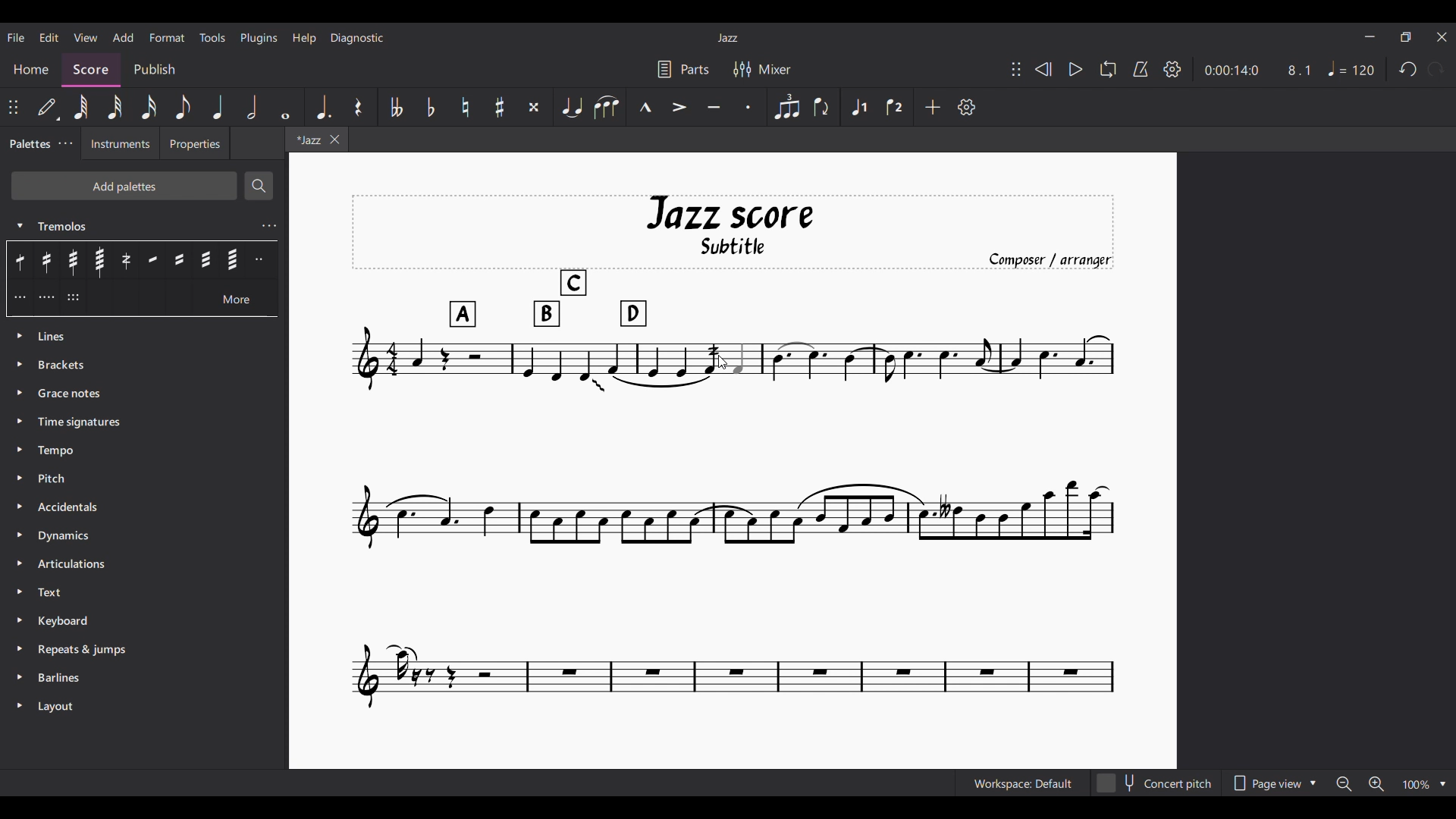 Image resolution: width=1456 pixels, height=819 pixels. What do you see at coordinates (262, 259) in the screenshot?
I see `Divide measured Tremolo by 2` at bounding box center [262, 259].